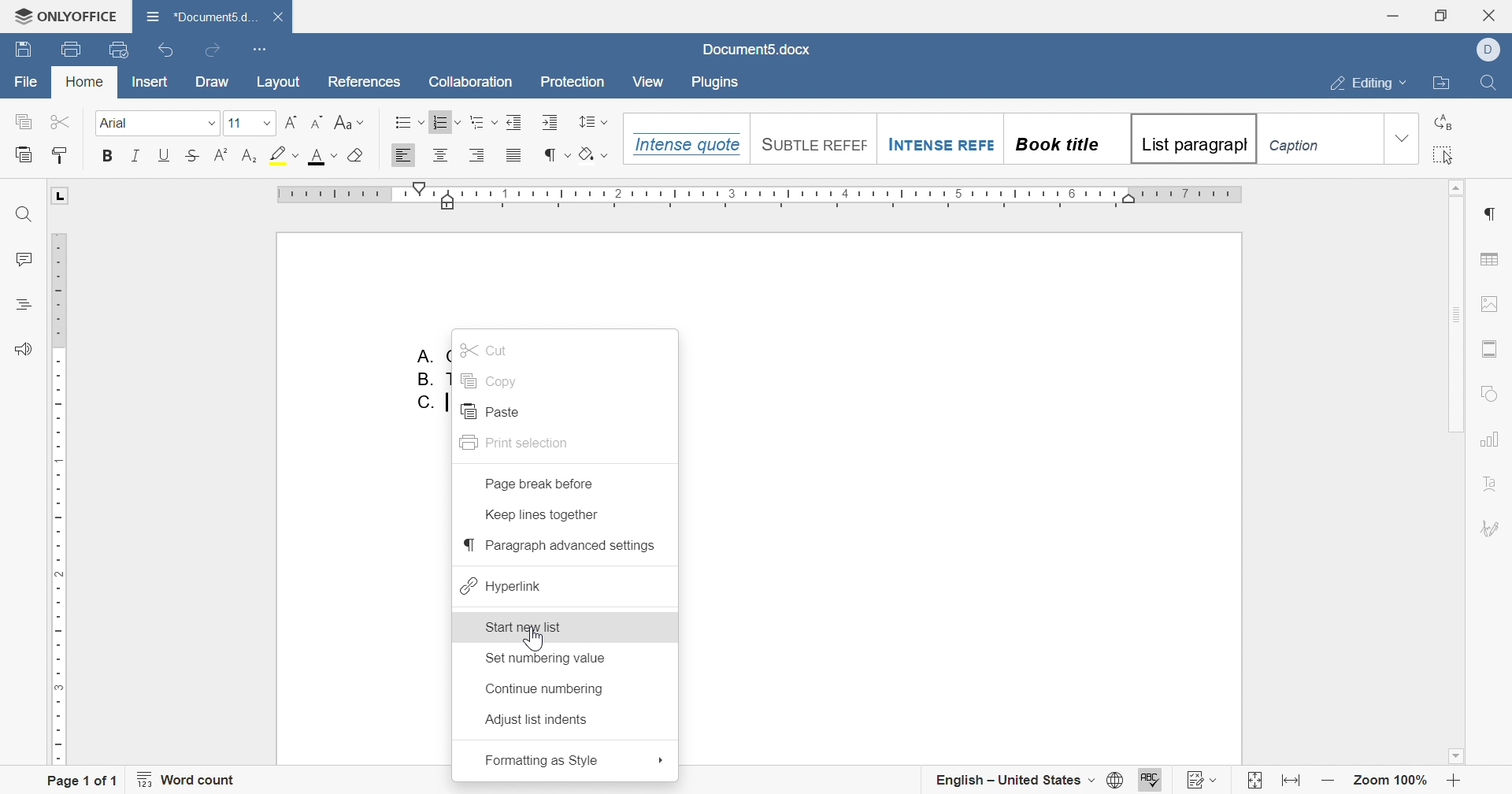  Describe the element at coordinates (193, 154) in the screenshot. I see `Strikethrough` at that location.